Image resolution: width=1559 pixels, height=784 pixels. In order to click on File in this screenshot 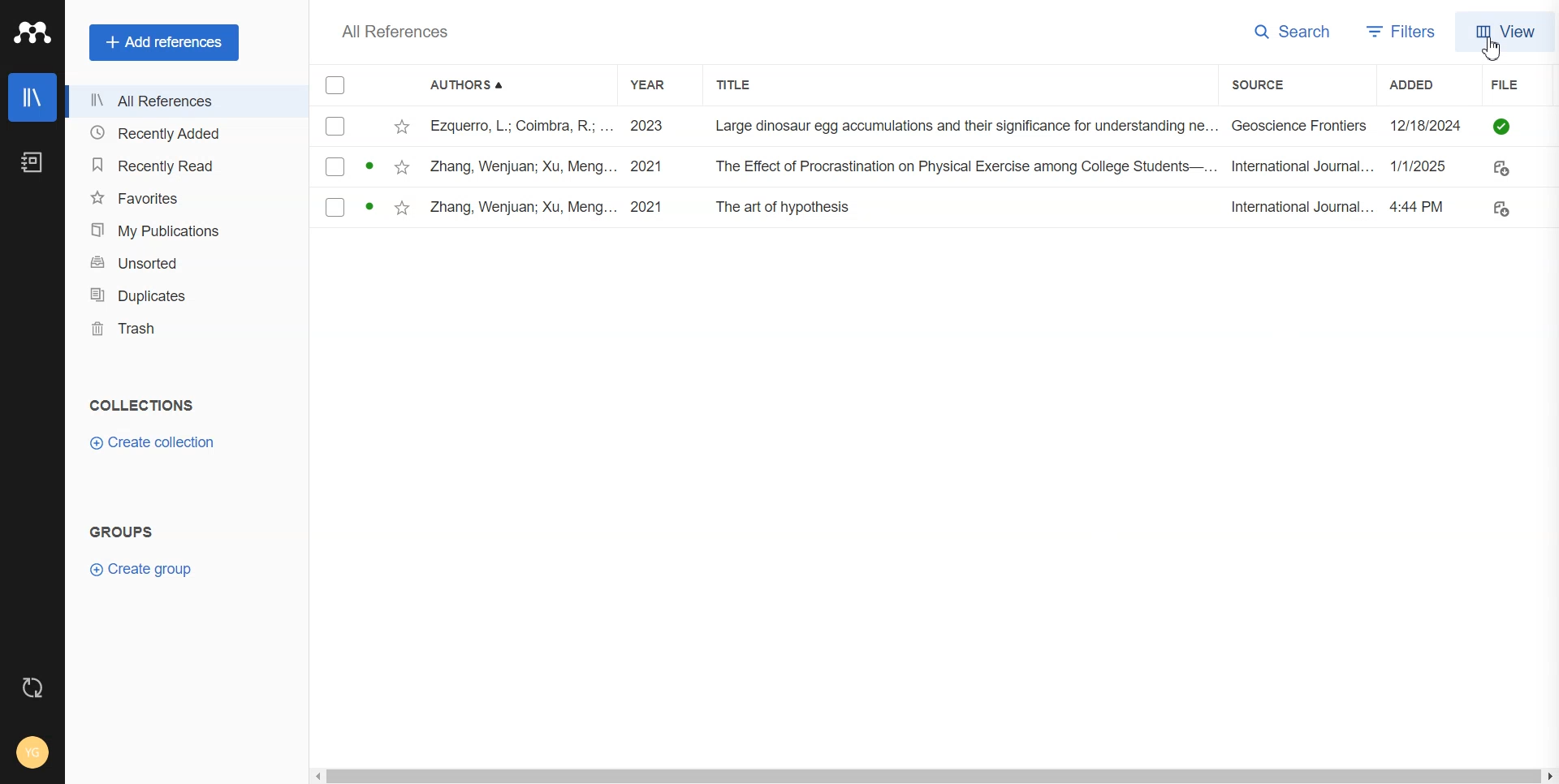, I will do `click(935, 207)`.